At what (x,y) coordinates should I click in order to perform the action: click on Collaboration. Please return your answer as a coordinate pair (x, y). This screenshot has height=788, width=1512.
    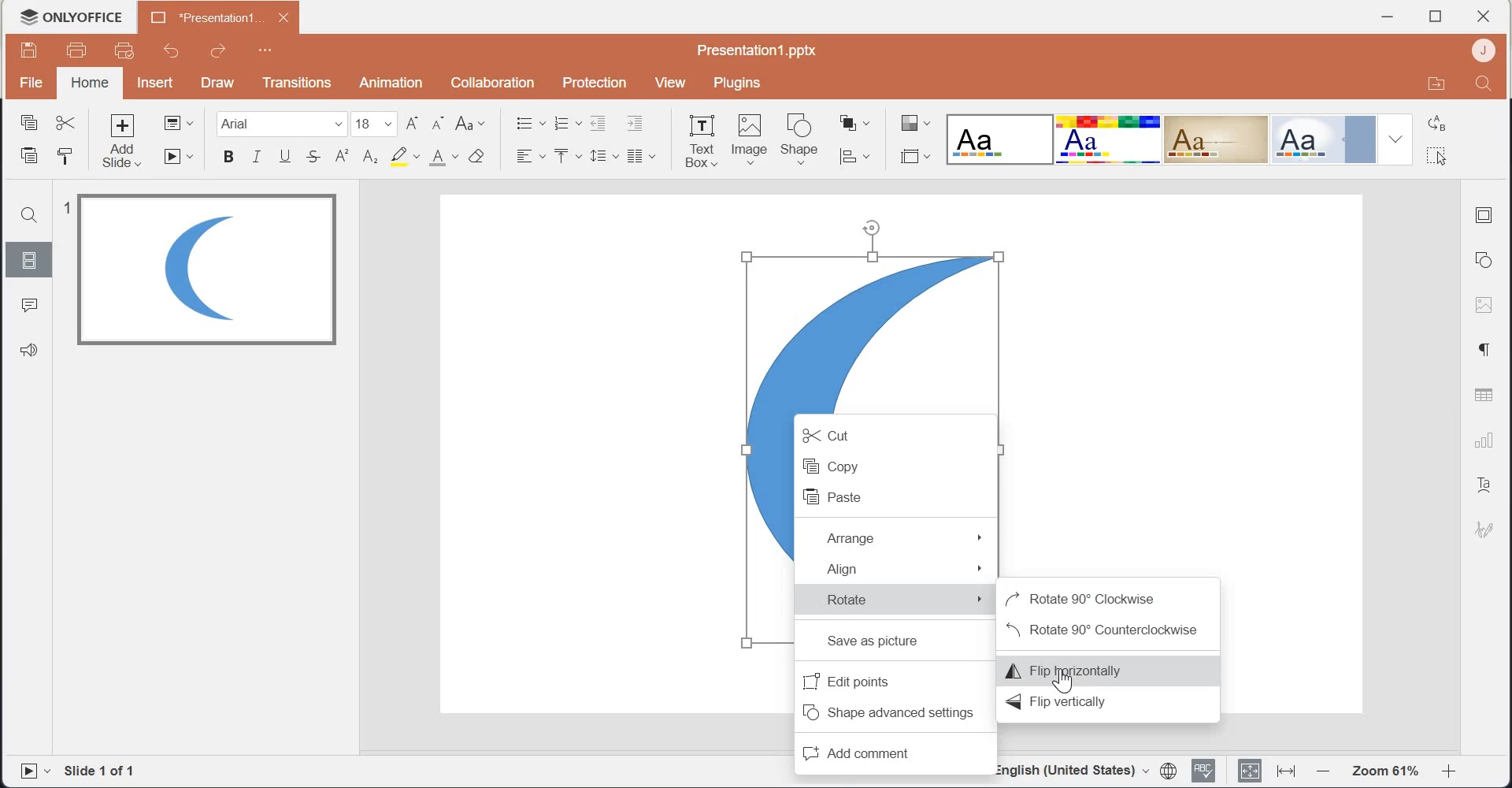
    Looking at the image, I should click on (493, 82).